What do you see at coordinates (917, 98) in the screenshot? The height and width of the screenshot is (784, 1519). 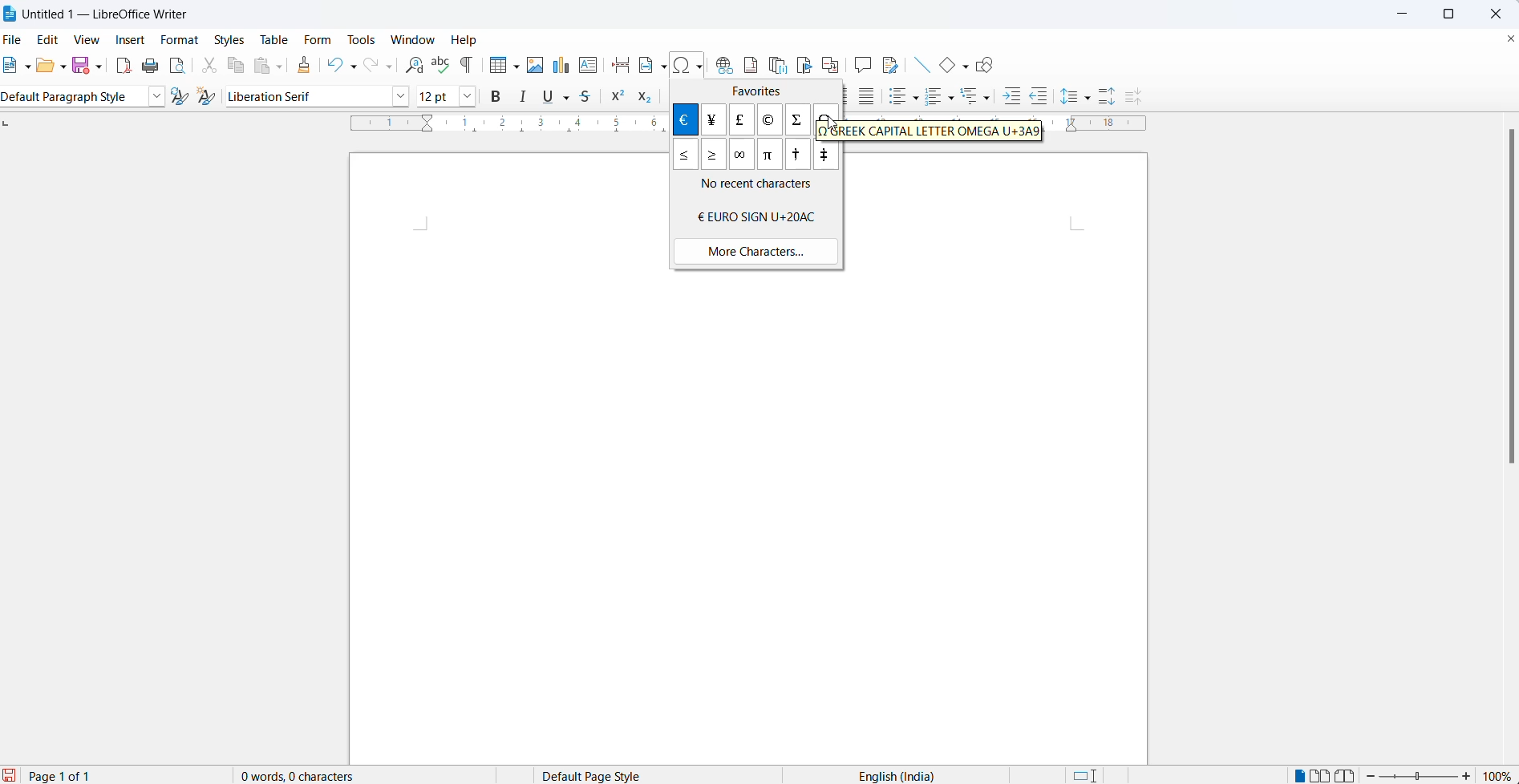 I see `toggle unordered list options` at bounding box center [917, 98].